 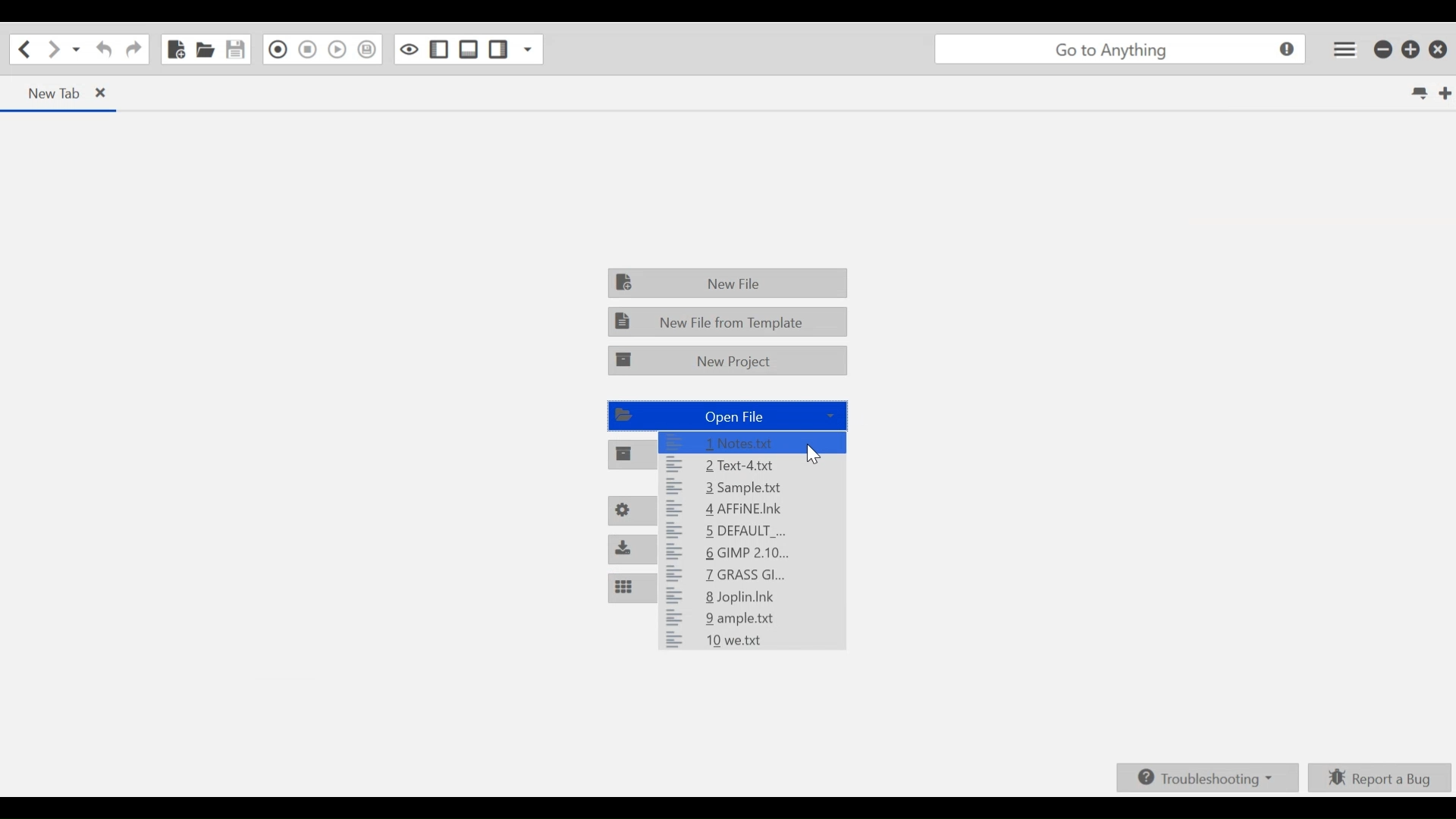 I want to click on Show specific Side Pane, so click(x=529, y=50).